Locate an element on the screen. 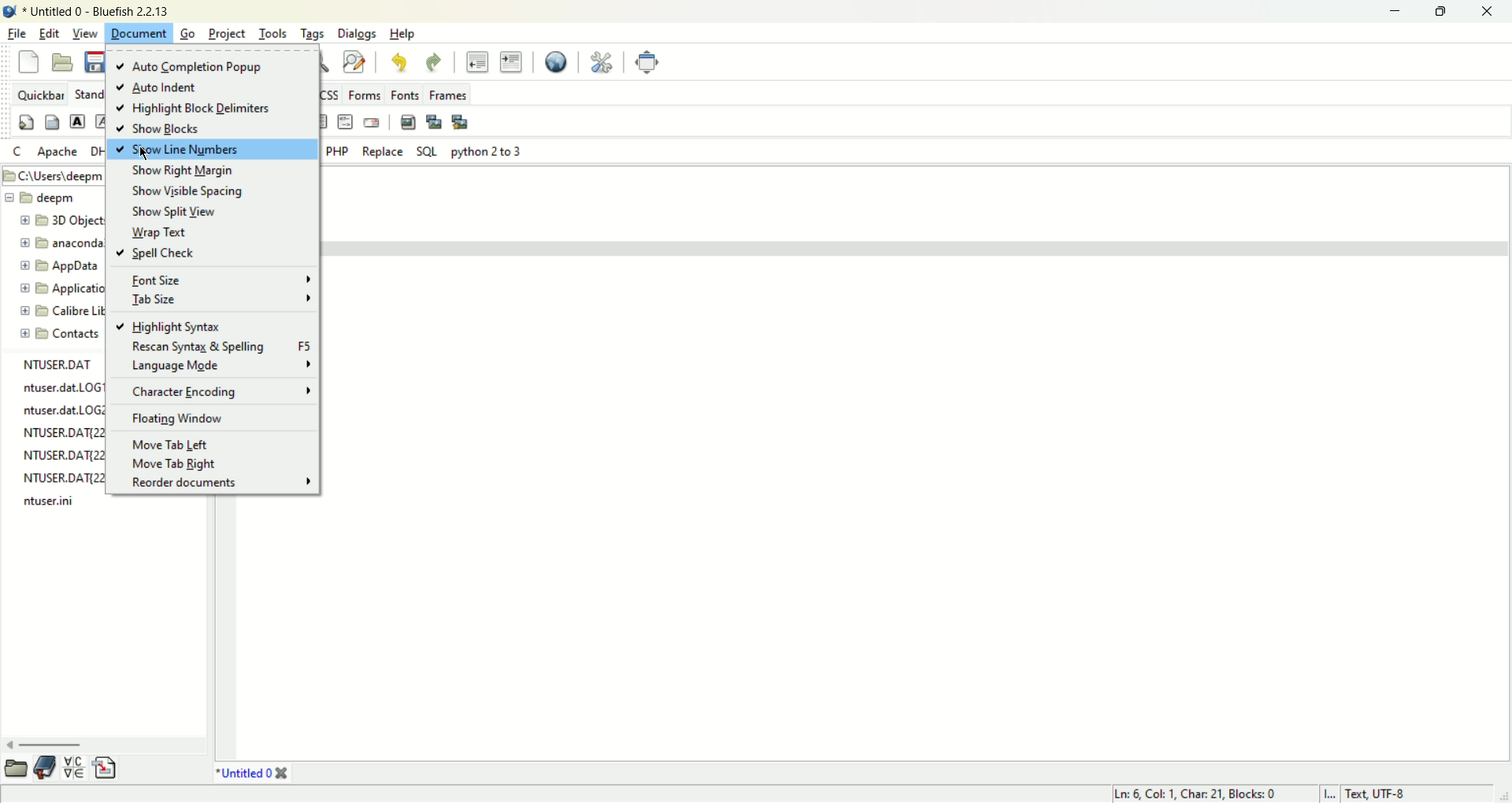 Image resolution: width=1512 pixels, height=803 pixels. project is located at coordinates (229, 33).